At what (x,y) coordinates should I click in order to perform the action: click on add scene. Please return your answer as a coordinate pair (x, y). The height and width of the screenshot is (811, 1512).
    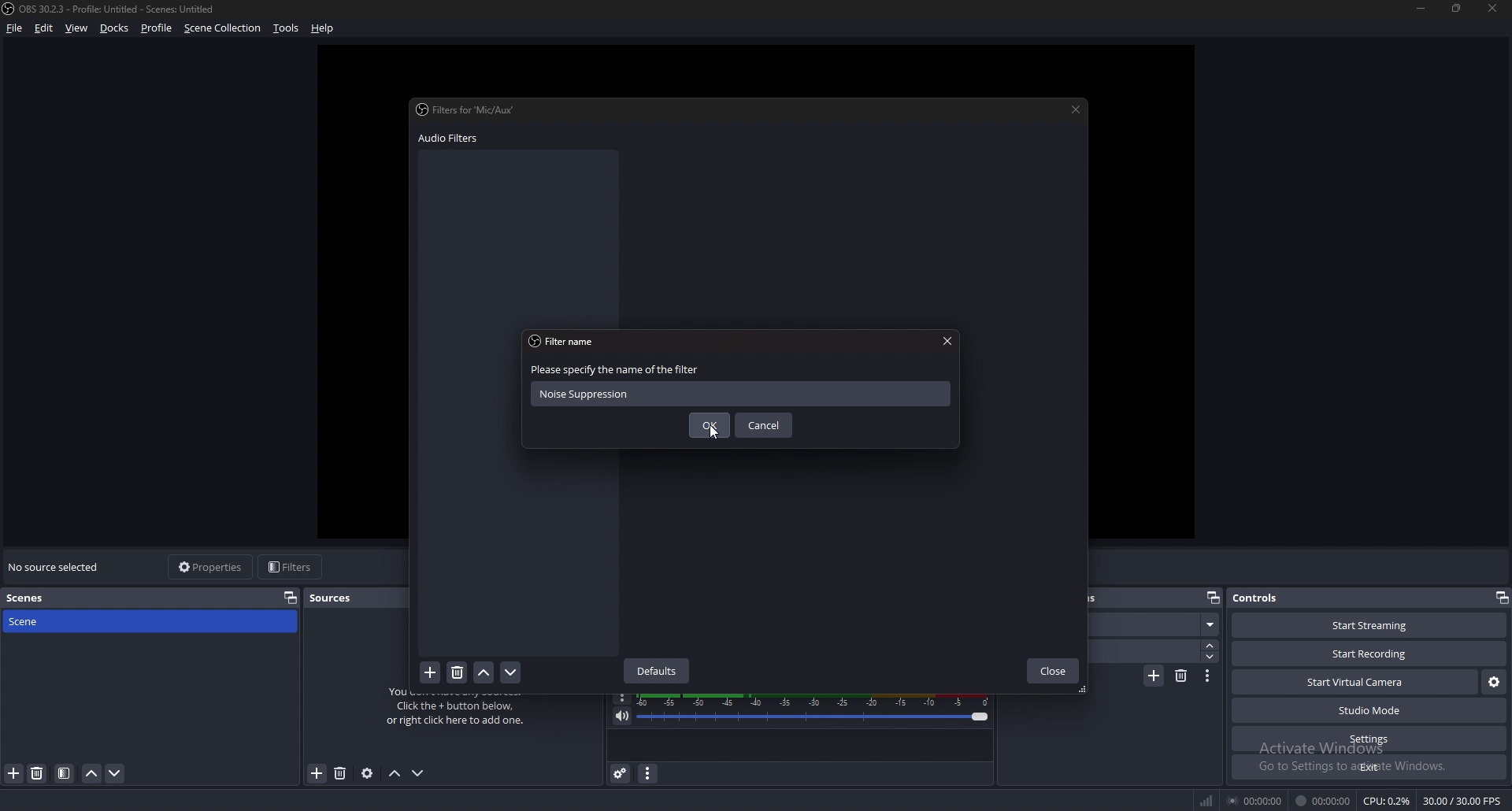
    Looking at the image, I should click on (14, 773).